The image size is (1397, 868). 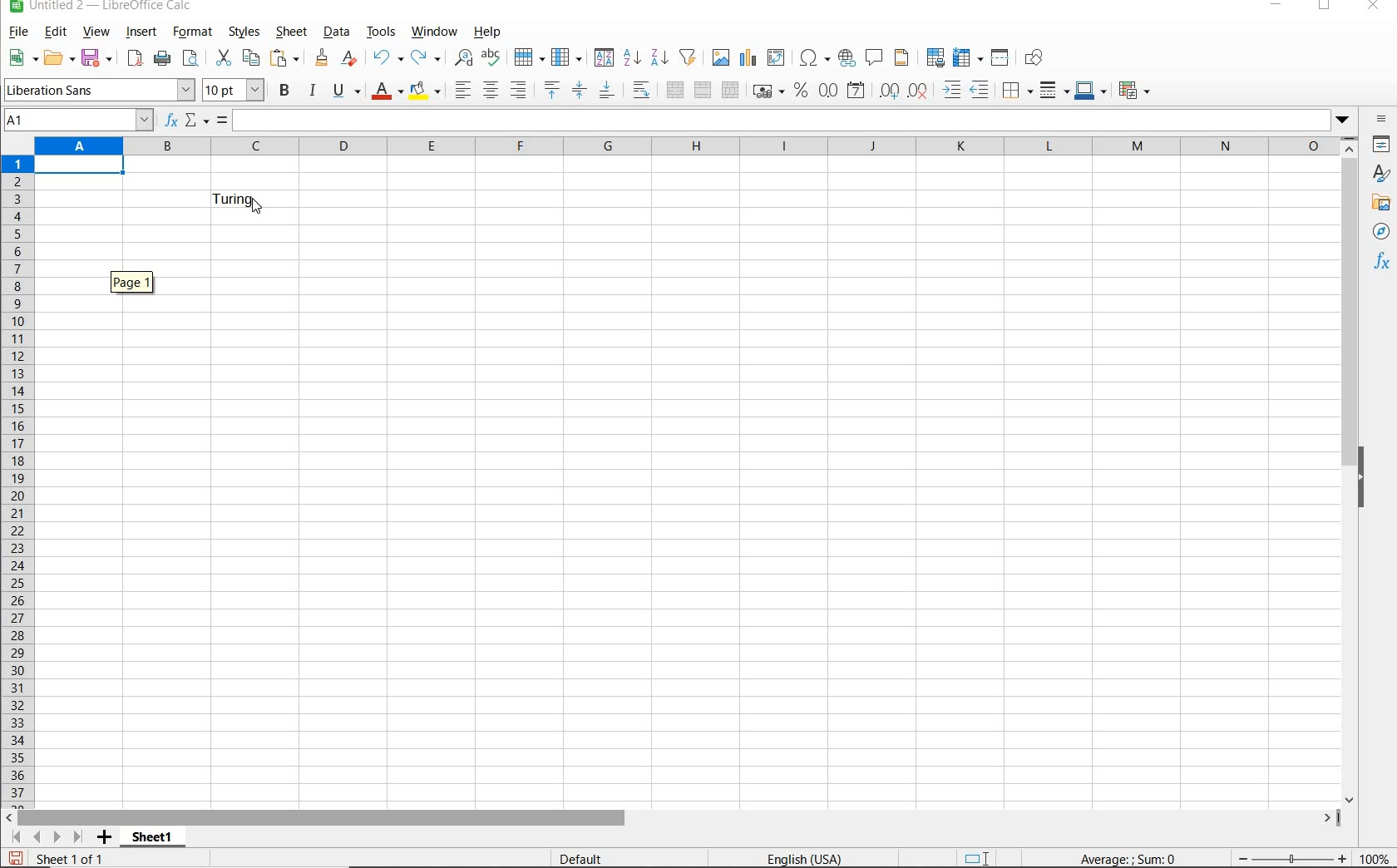 What do you see at coordinates (527, 57) in the screenshot?
I see `ROW` at bounding box center [527, 57].